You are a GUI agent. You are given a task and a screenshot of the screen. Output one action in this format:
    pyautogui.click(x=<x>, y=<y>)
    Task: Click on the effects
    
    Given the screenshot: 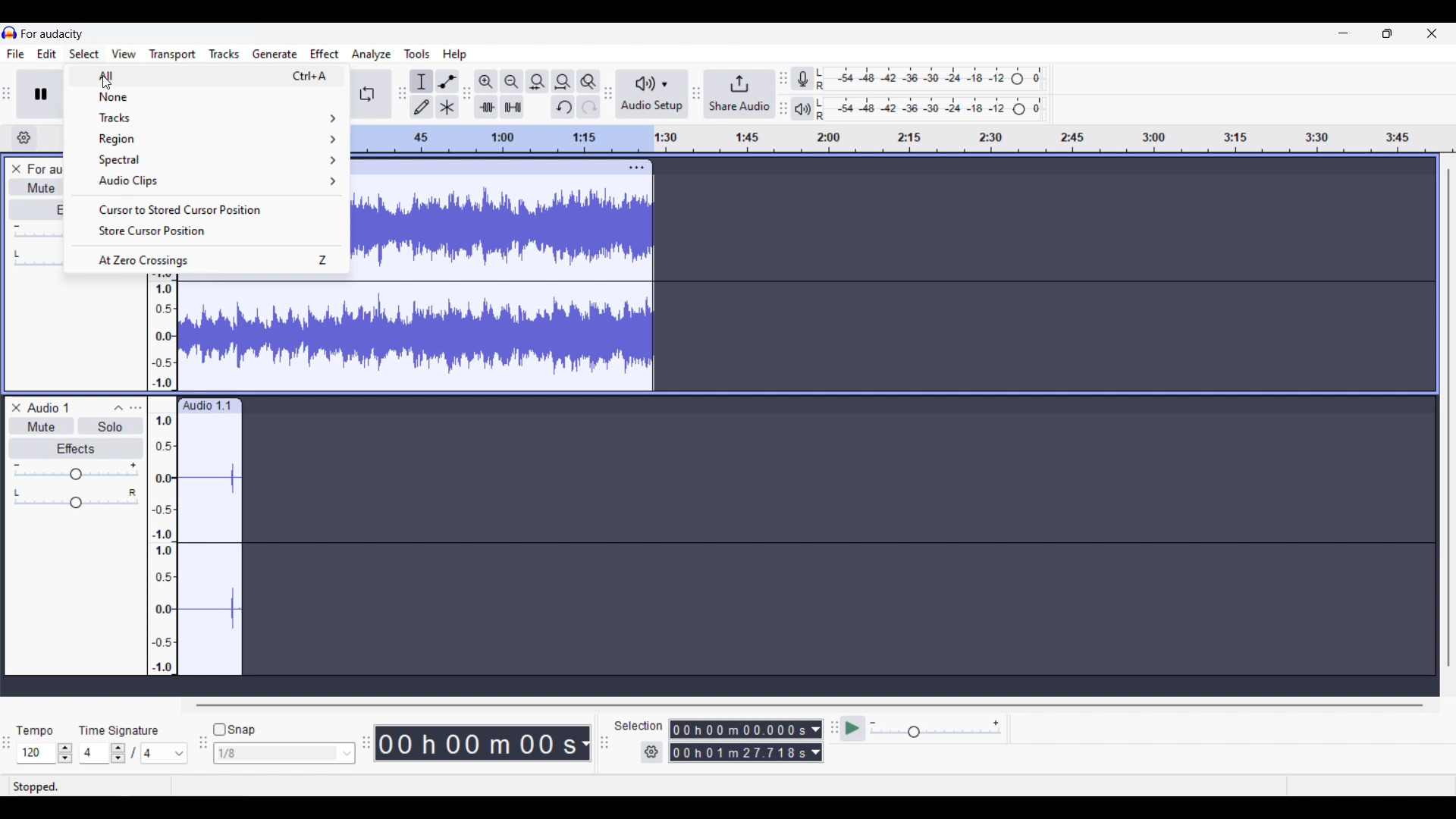 What is the action you would take?
    pyautogui.click(x=76, y=449)
    